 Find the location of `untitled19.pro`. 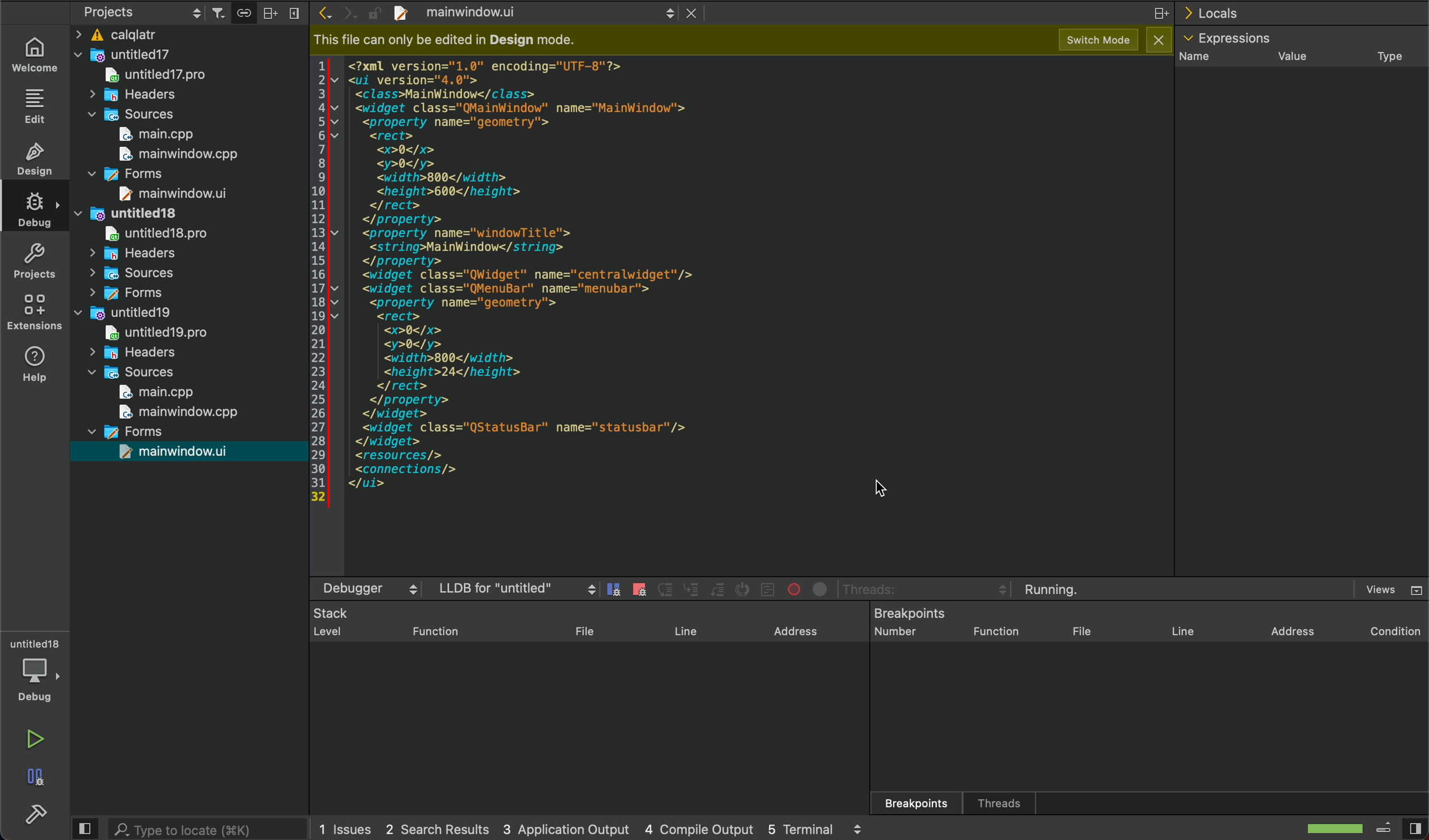

untitled19.pro is located at coordinates (172, 332).